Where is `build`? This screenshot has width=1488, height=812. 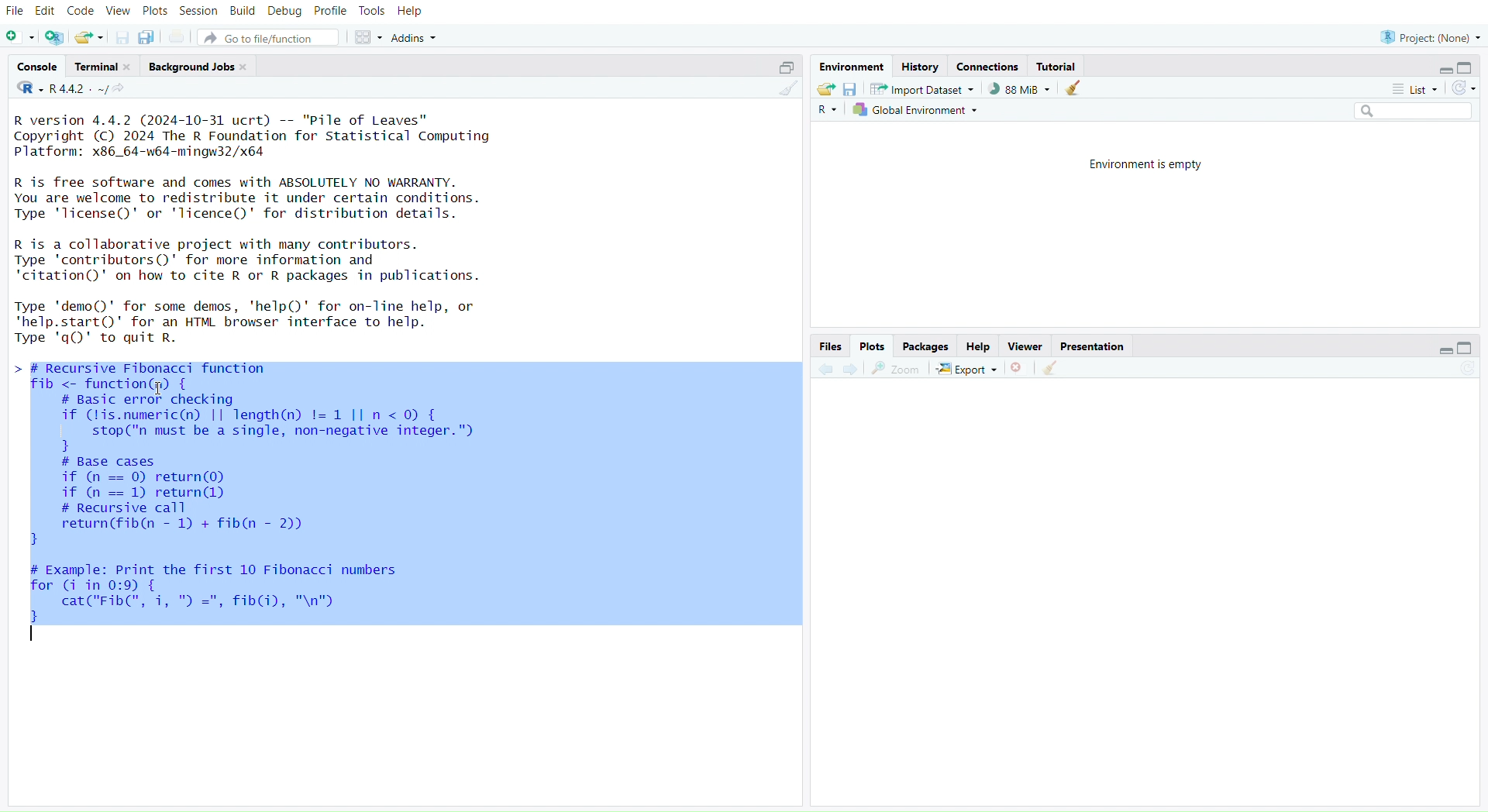
build is located at coordinates (243, 11).